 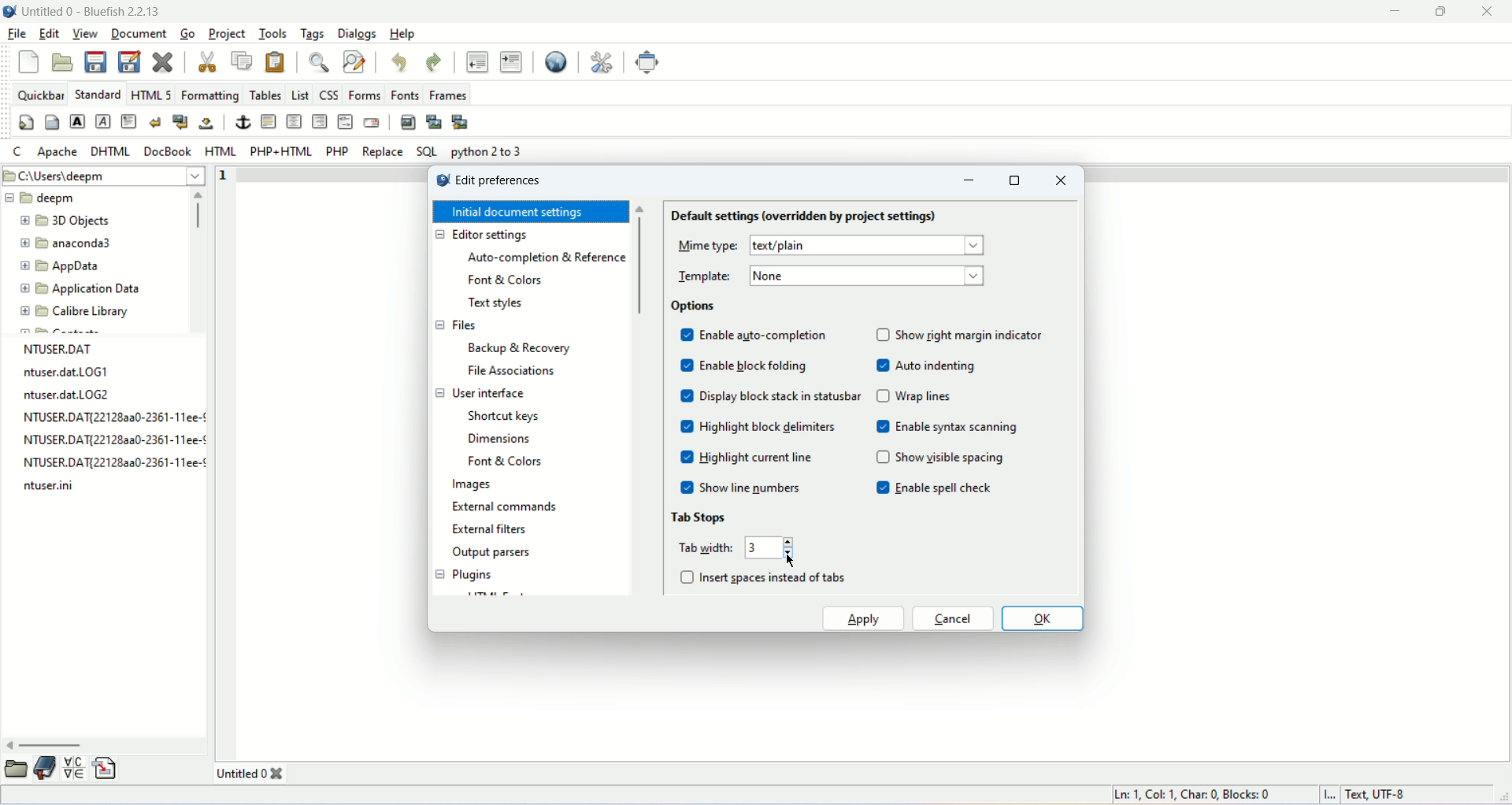 I want to click on quickstart, so click(x=27, y=123).